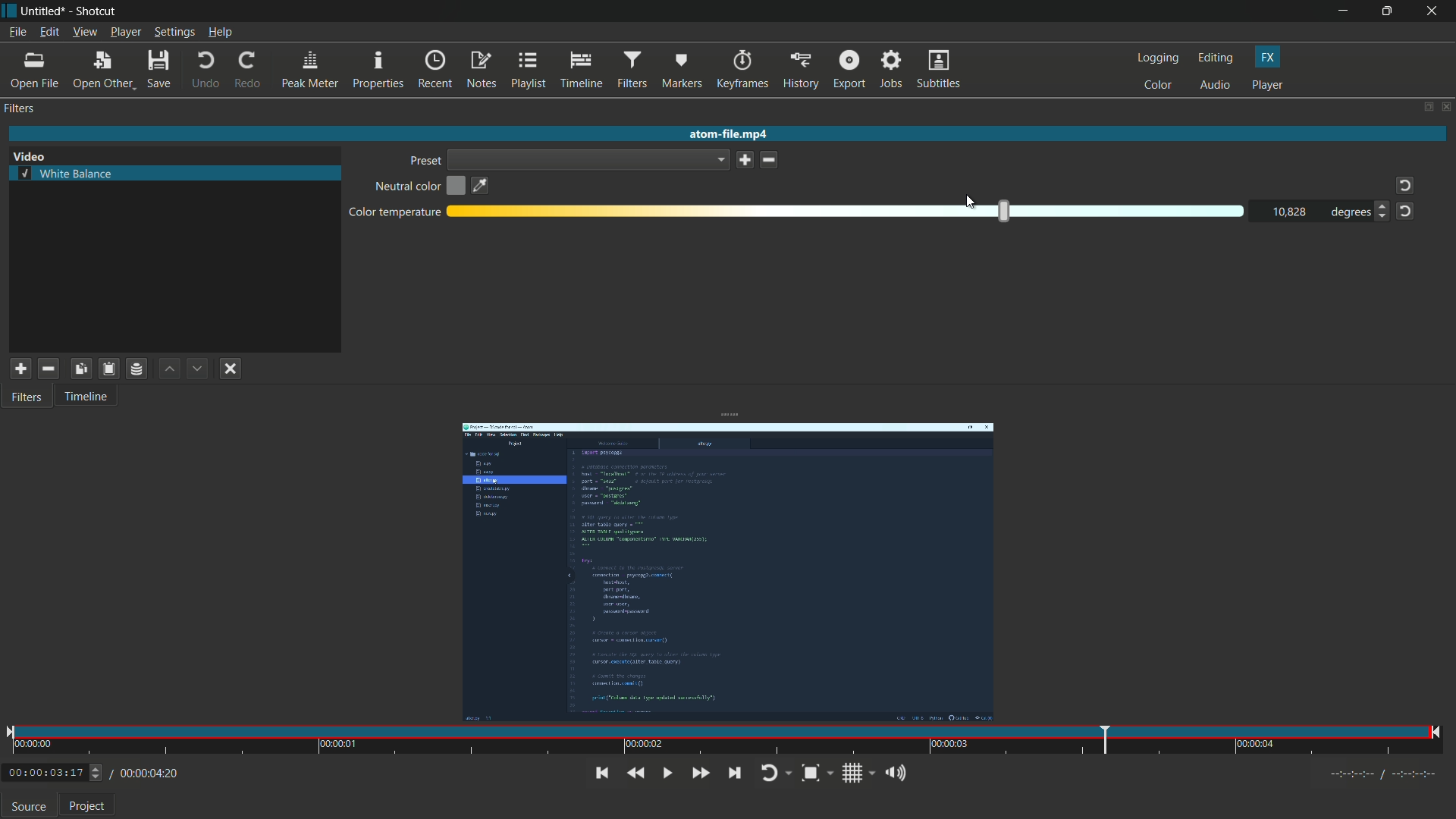 The height and width of the screenshot is (819, 1456). Describe the element at coordinates (1290, 212) in the screenshot. I see `10828` at that location.